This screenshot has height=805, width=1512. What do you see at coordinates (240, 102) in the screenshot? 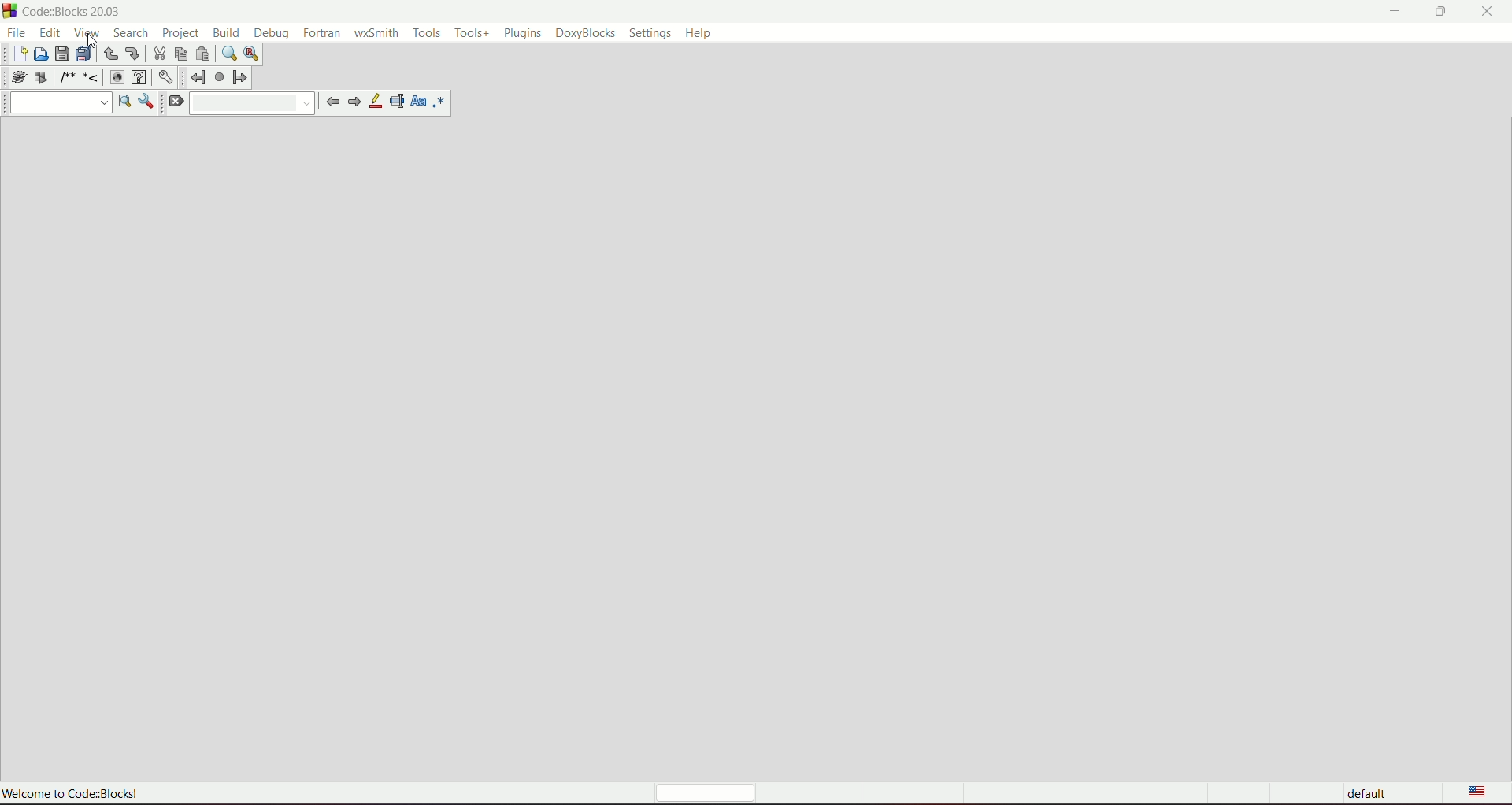
I see `drop down` at bounding box center [240, 102].